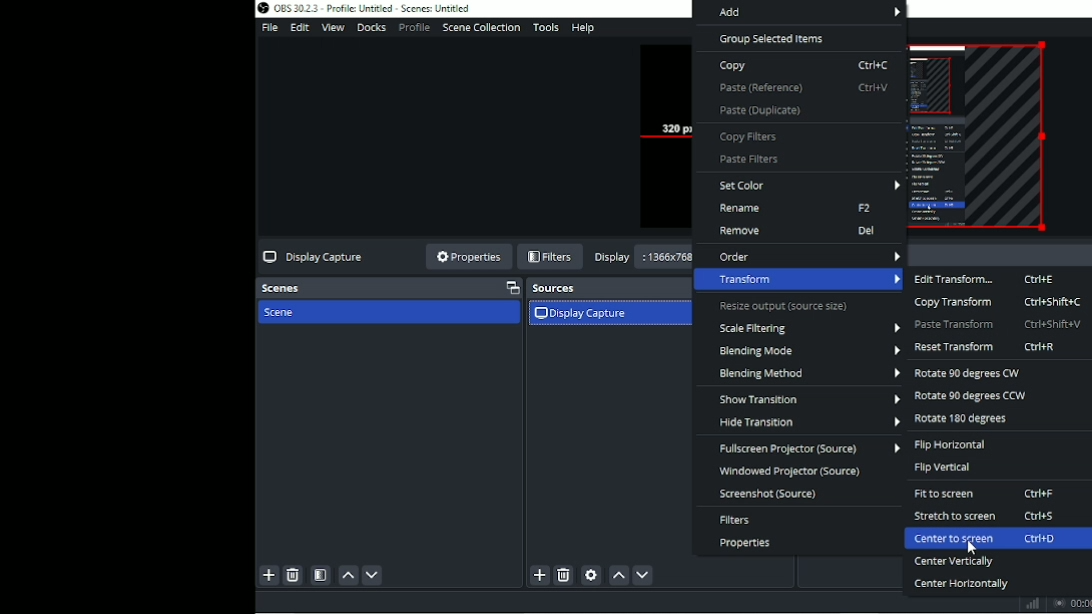 This screenshot has width=1092, height=614. Describe the element at coordinates (799, 280) in the screenshot. I see `Transform` at that location.